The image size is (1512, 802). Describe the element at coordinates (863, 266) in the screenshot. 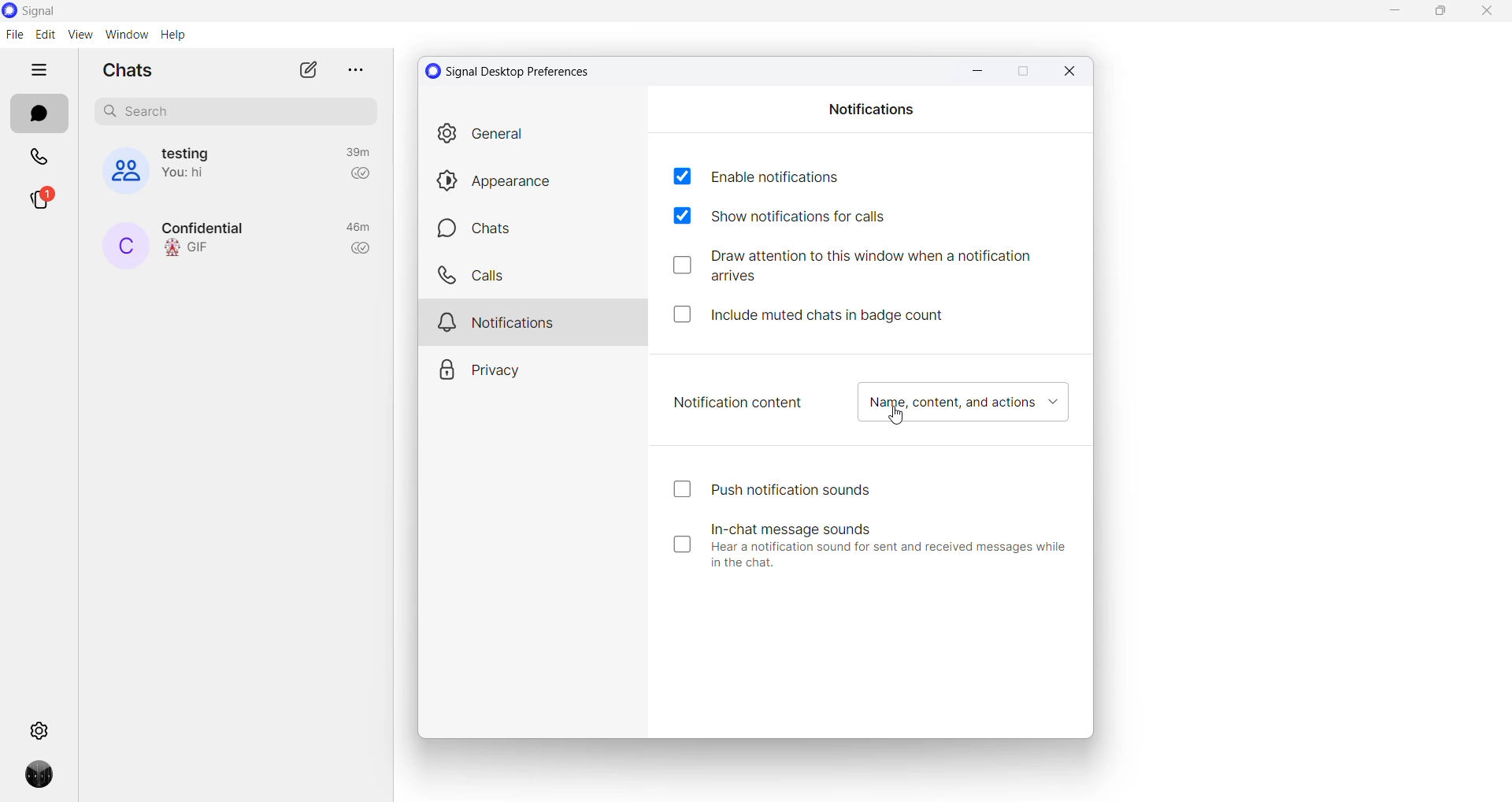

I see `draw attention checkbox` at that location.